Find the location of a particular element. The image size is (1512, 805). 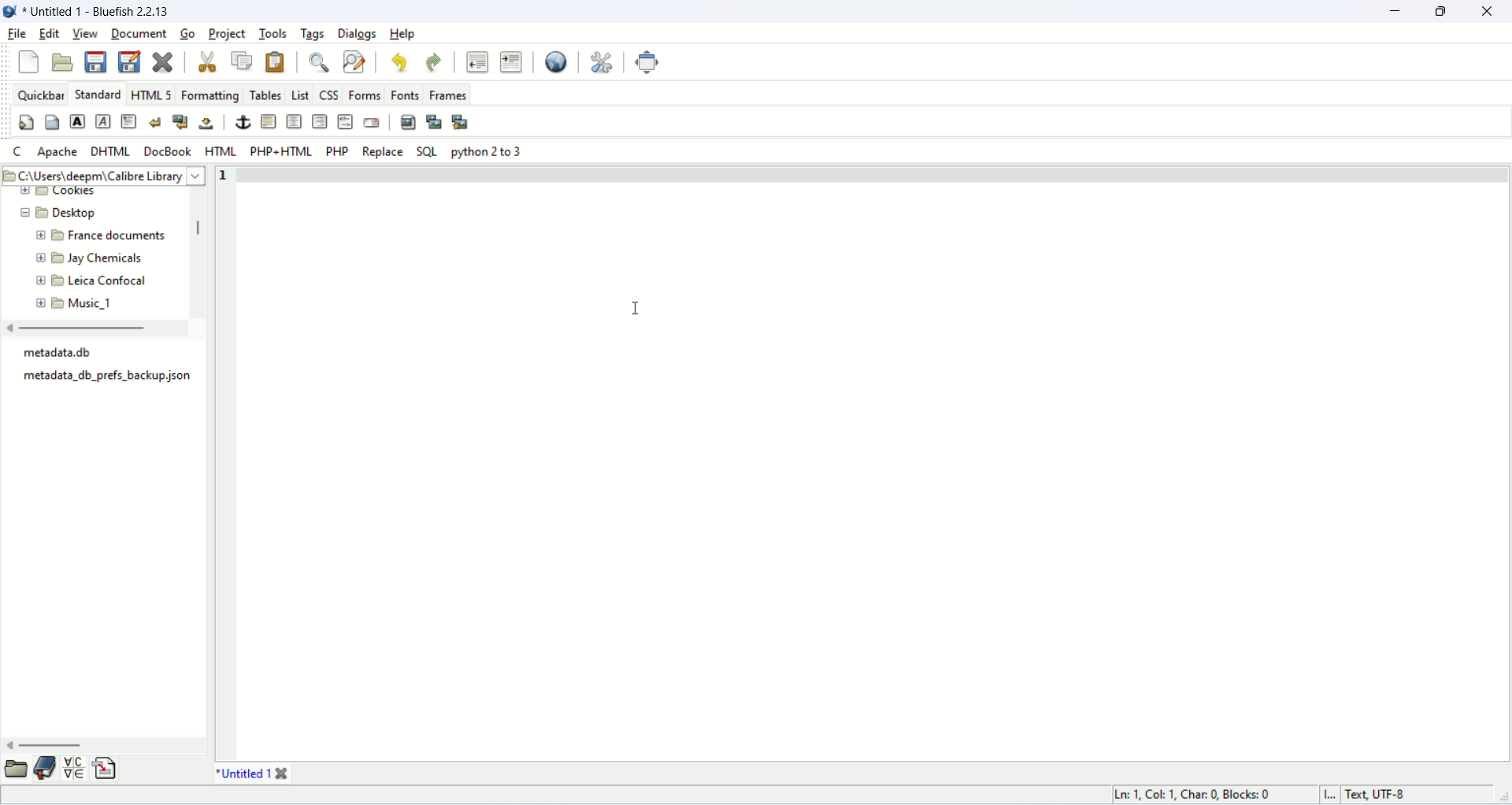

folder name is located at coordinates (88, 280).